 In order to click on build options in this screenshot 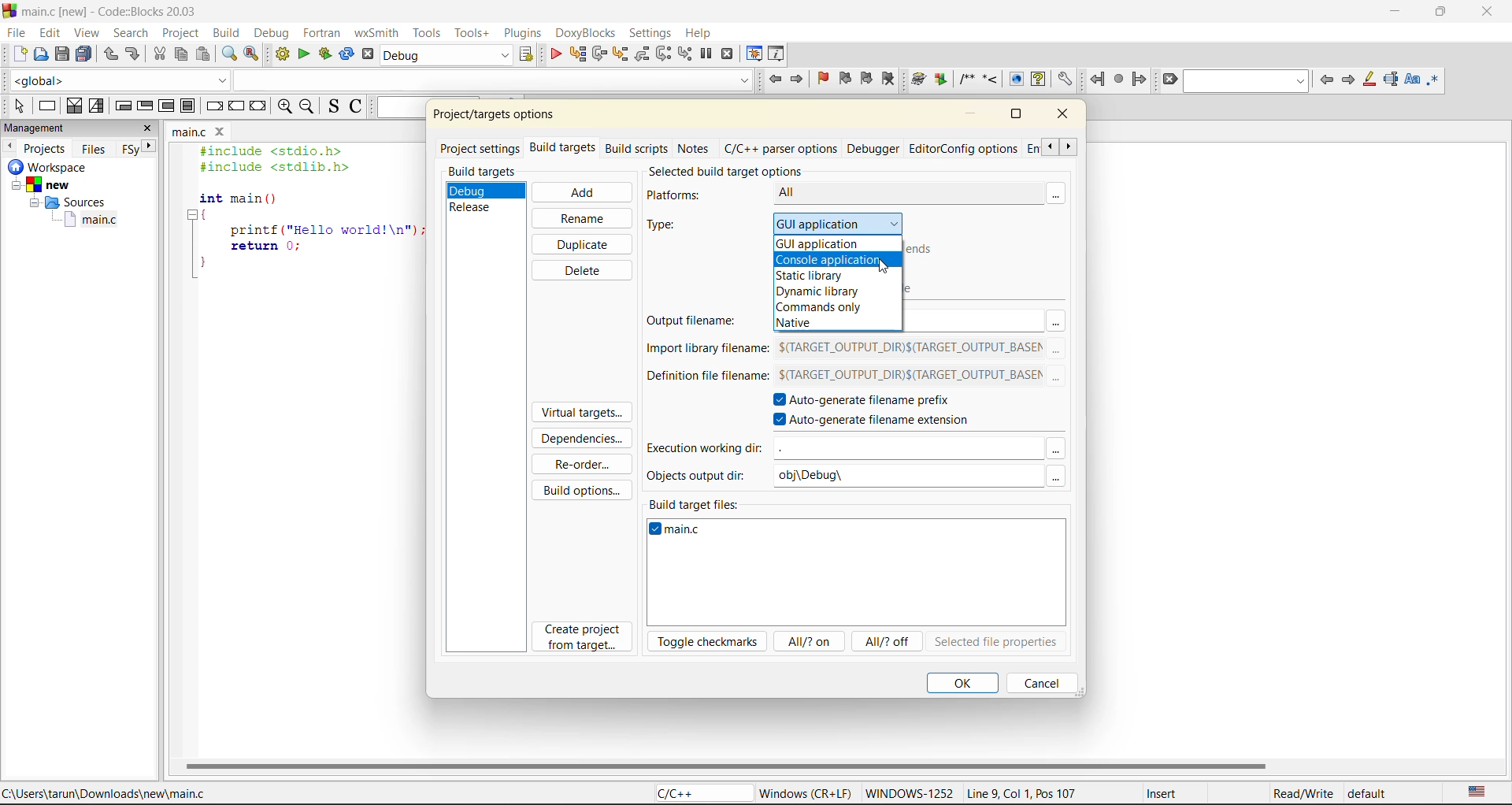, I will do `click(585, 488)`.